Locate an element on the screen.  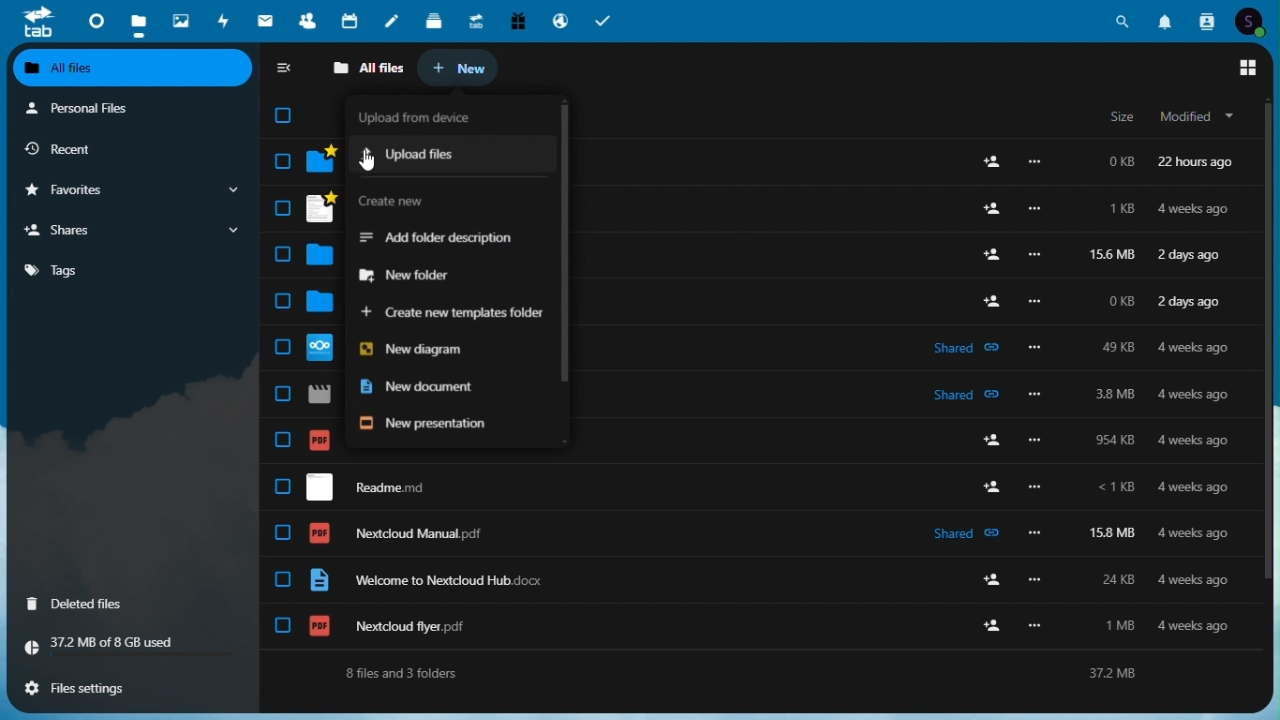
check box is located at coordinates (283, 114).